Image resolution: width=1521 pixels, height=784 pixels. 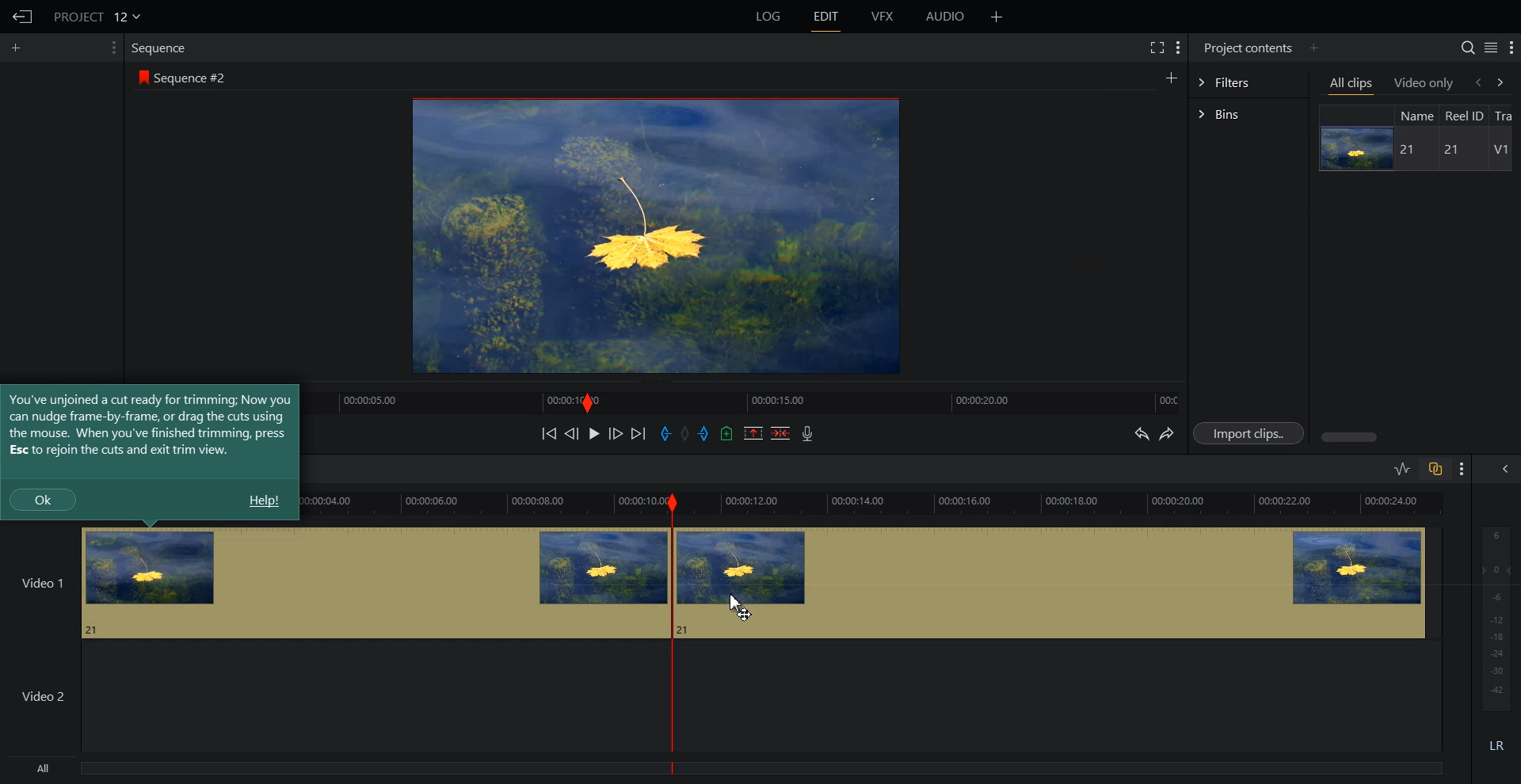 What do you see at coordinates (1403, 468) in the screenshot?
I see `Toggle audio level editing` at bounding box center [1403, 468].